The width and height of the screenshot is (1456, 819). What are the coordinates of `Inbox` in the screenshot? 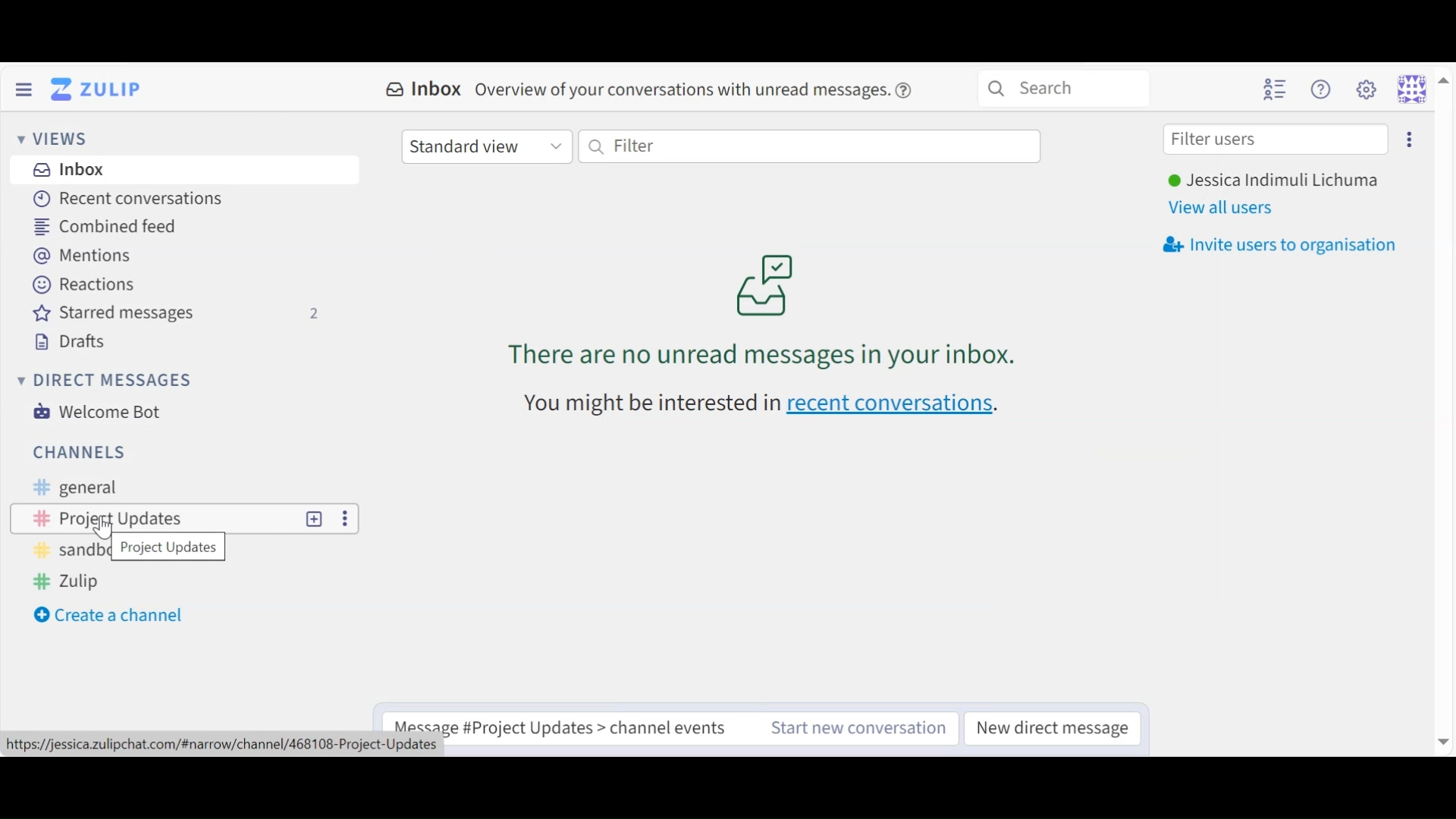 It's located at (425, 89).